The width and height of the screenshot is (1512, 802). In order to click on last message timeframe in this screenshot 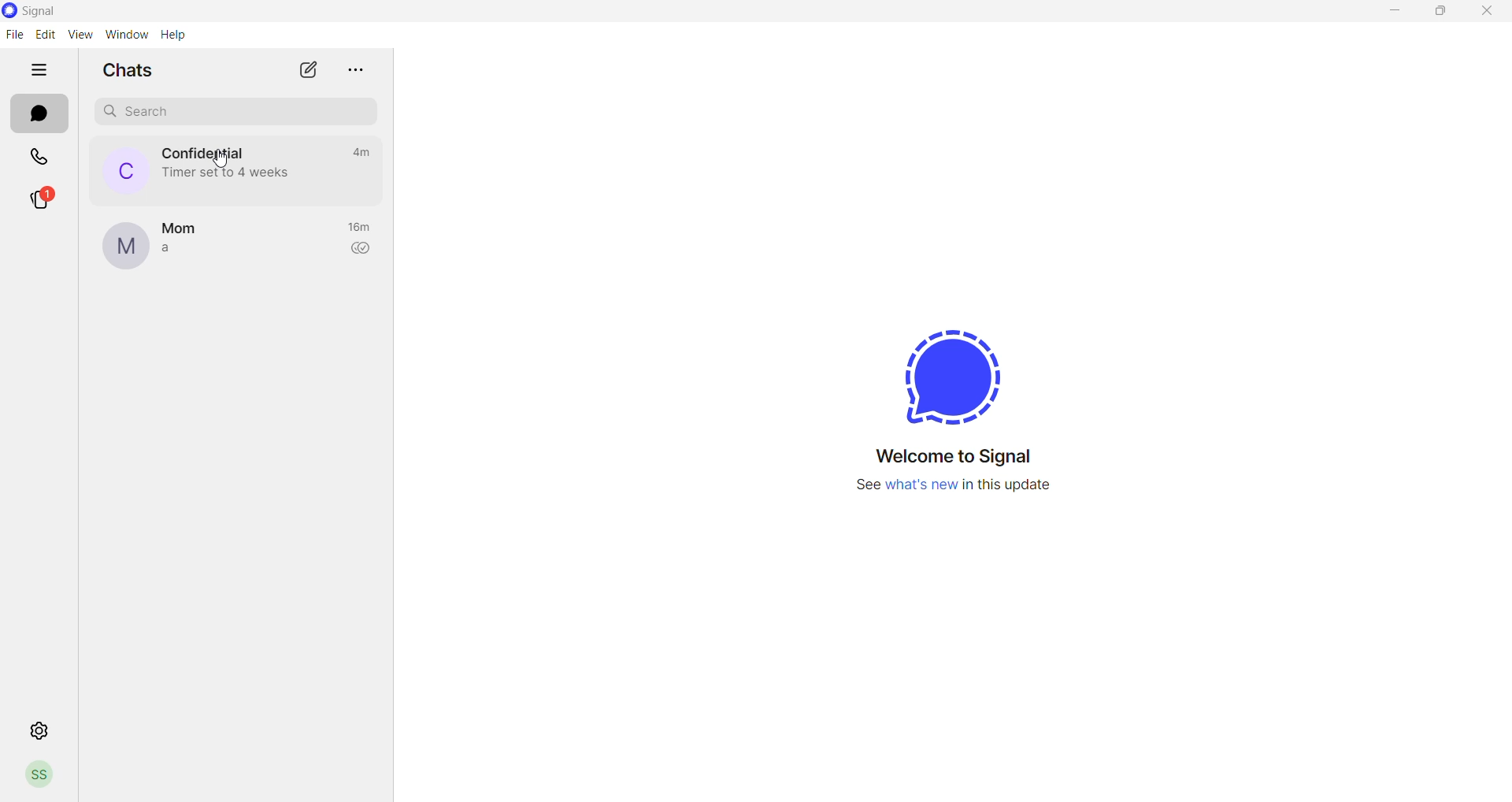, I will do `click(362, 228)`.